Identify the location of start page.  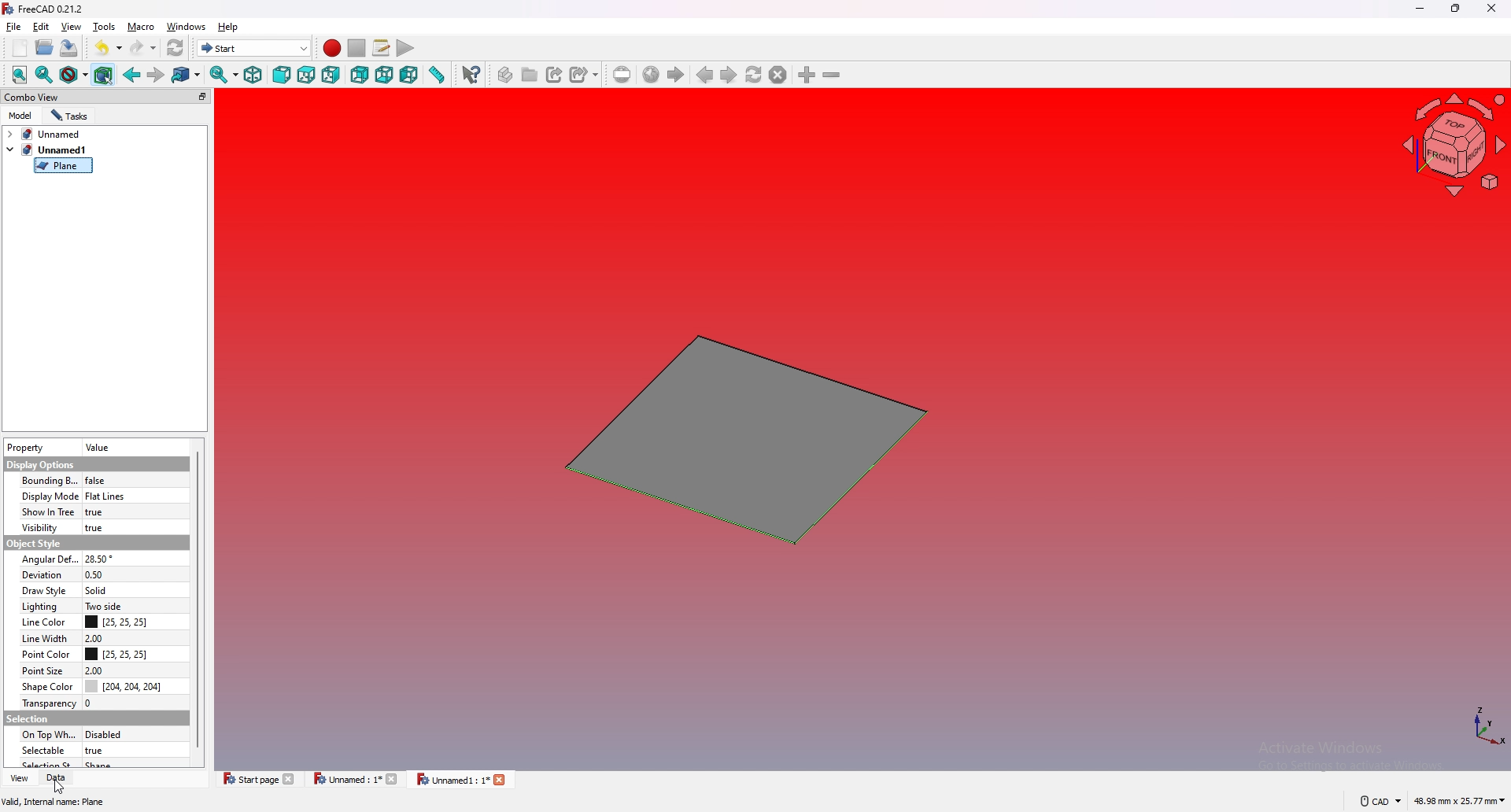
(260, 778).